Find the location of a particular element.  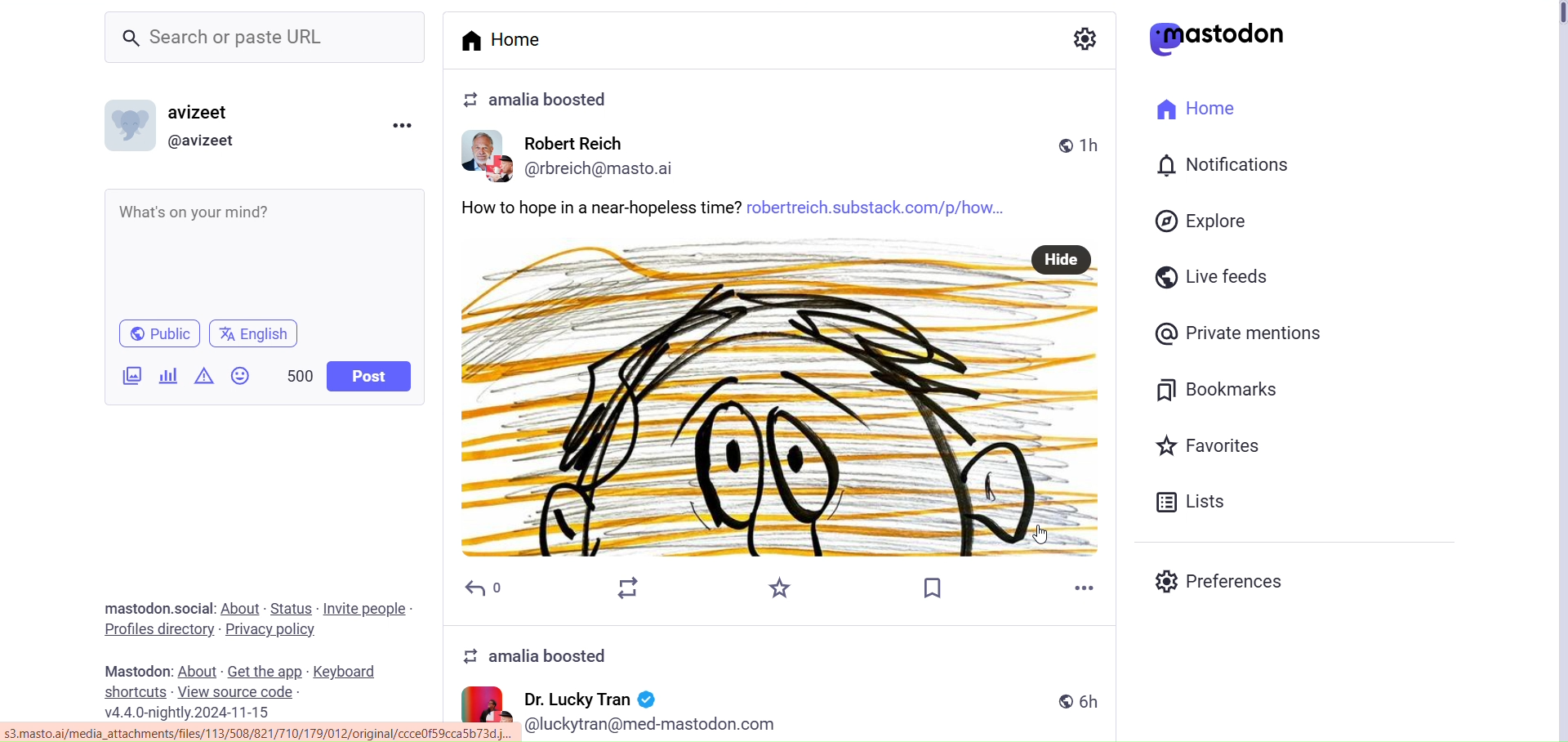

Text is located at coordinates (135, 670).